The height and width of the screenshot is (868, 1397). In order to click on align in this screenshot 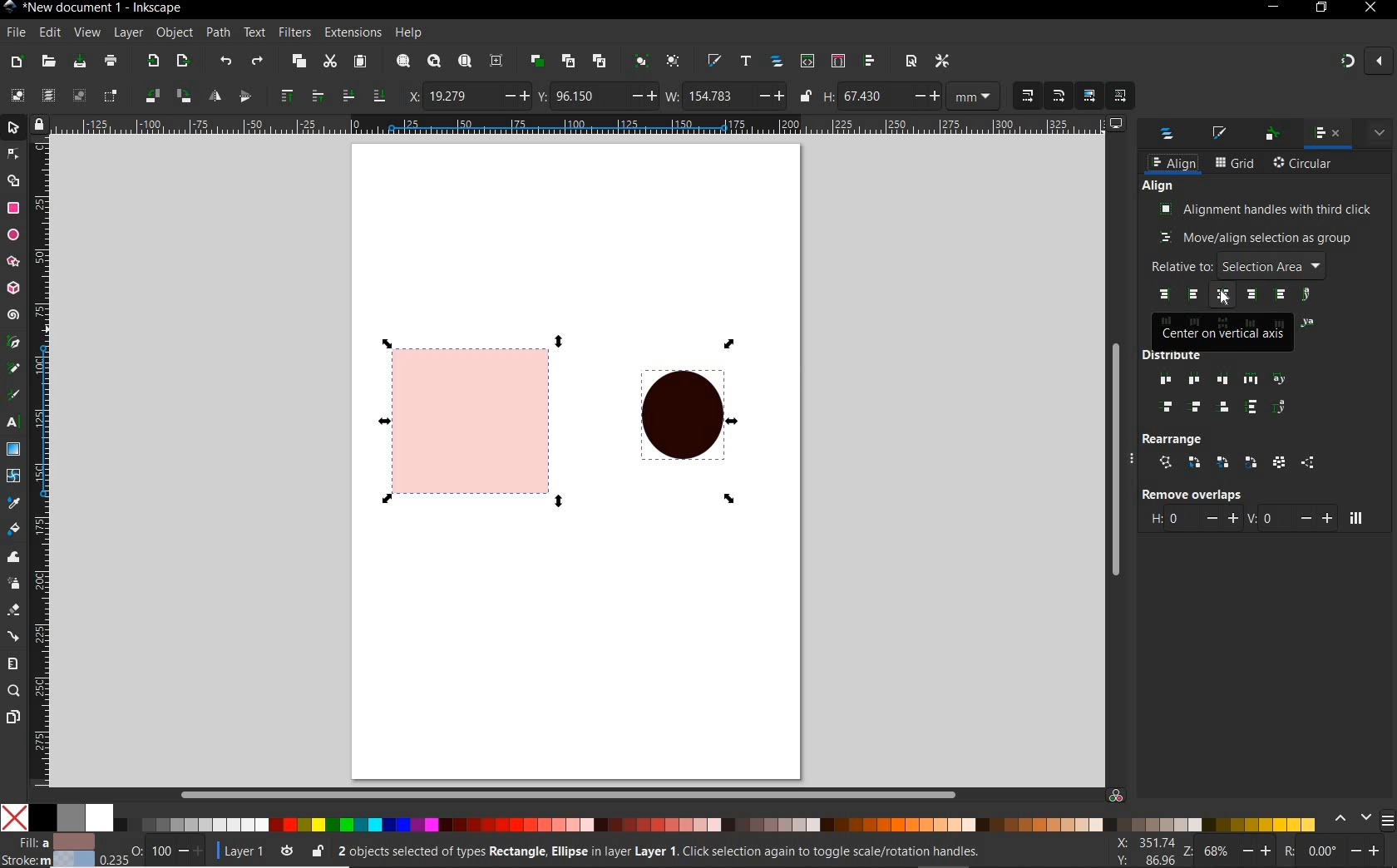, I will do `click(1173, 164)`.